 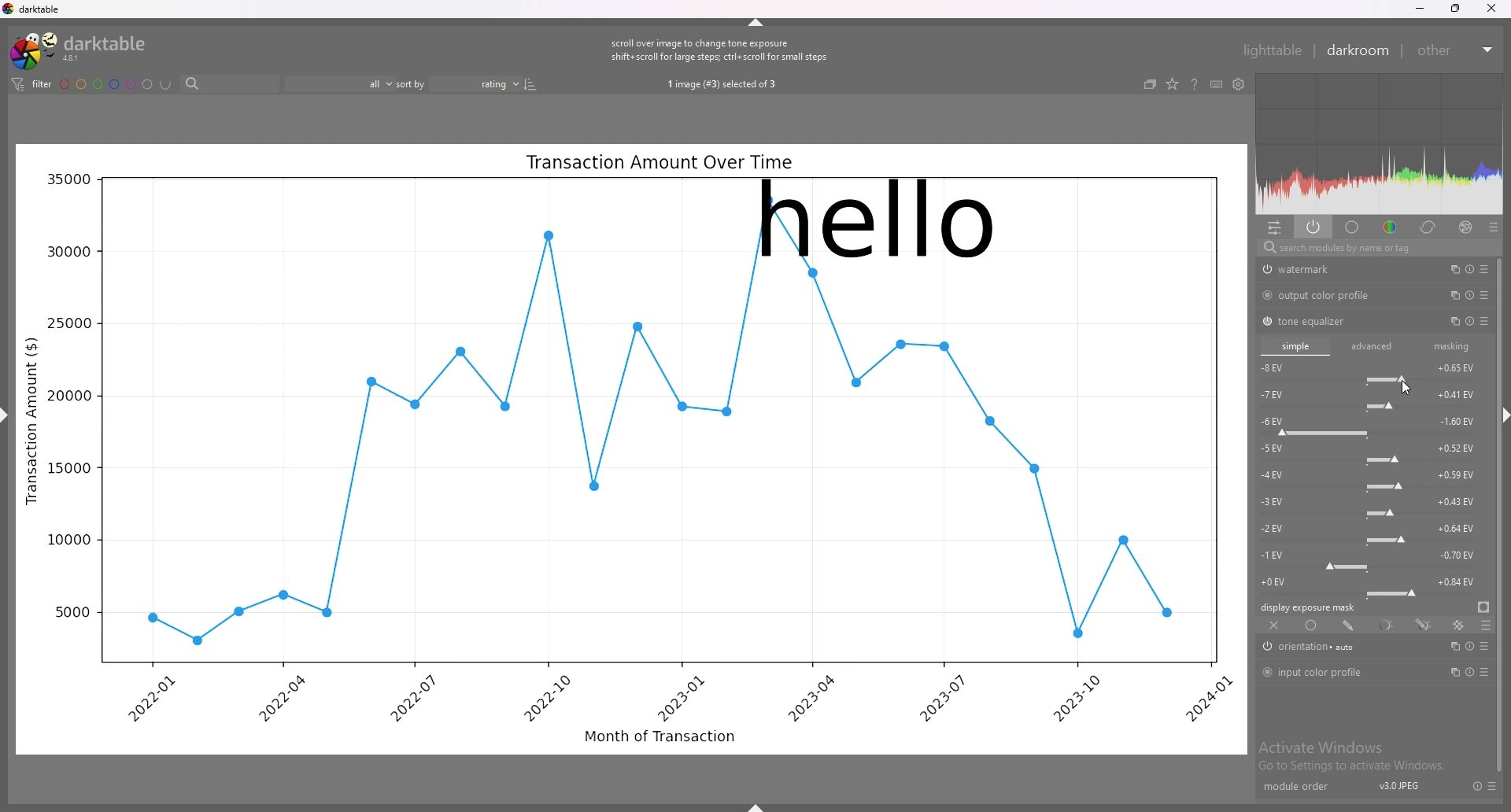 I want to click on switch off/on, so click(x=1265, y=295).